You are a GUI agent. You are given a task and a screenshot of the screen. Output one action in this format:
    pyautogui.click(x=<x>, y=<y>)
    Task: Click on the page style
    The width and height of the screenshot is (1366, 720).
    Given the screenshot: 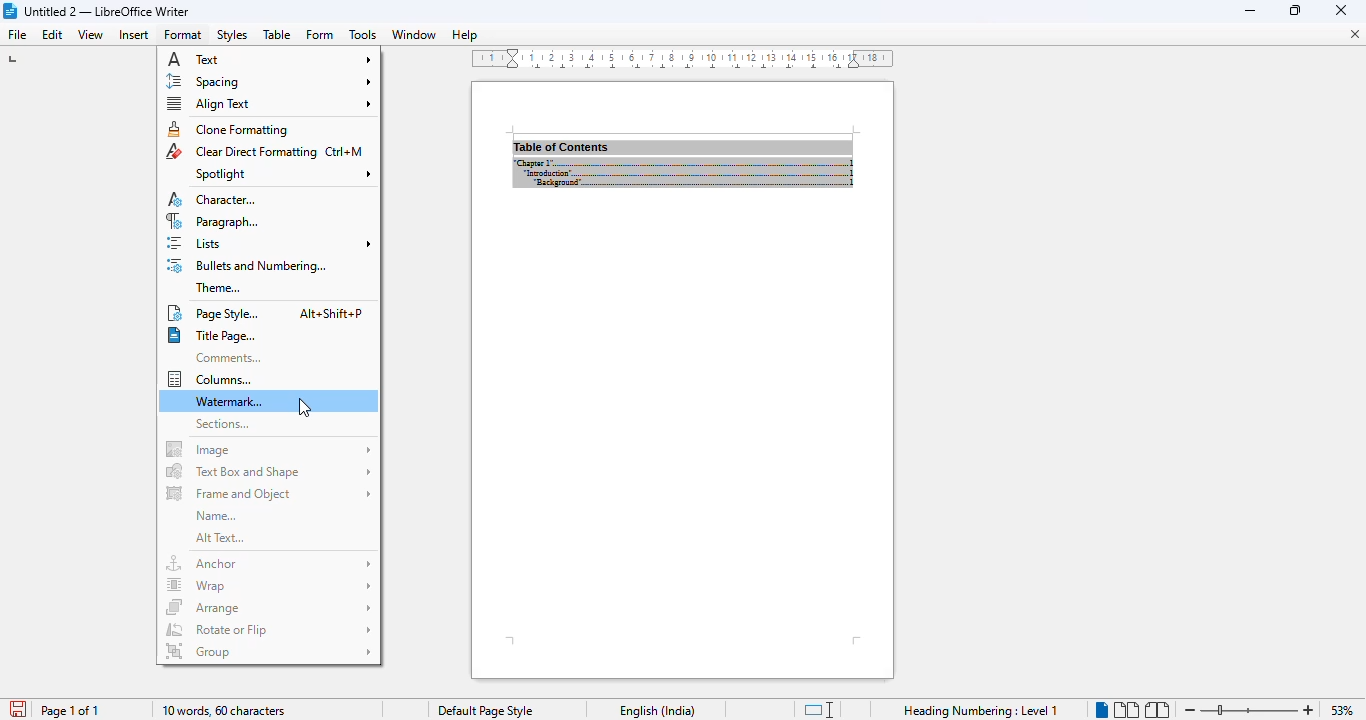 What is the action you would take?
    pyautogui.click(x=215, y=313)
    